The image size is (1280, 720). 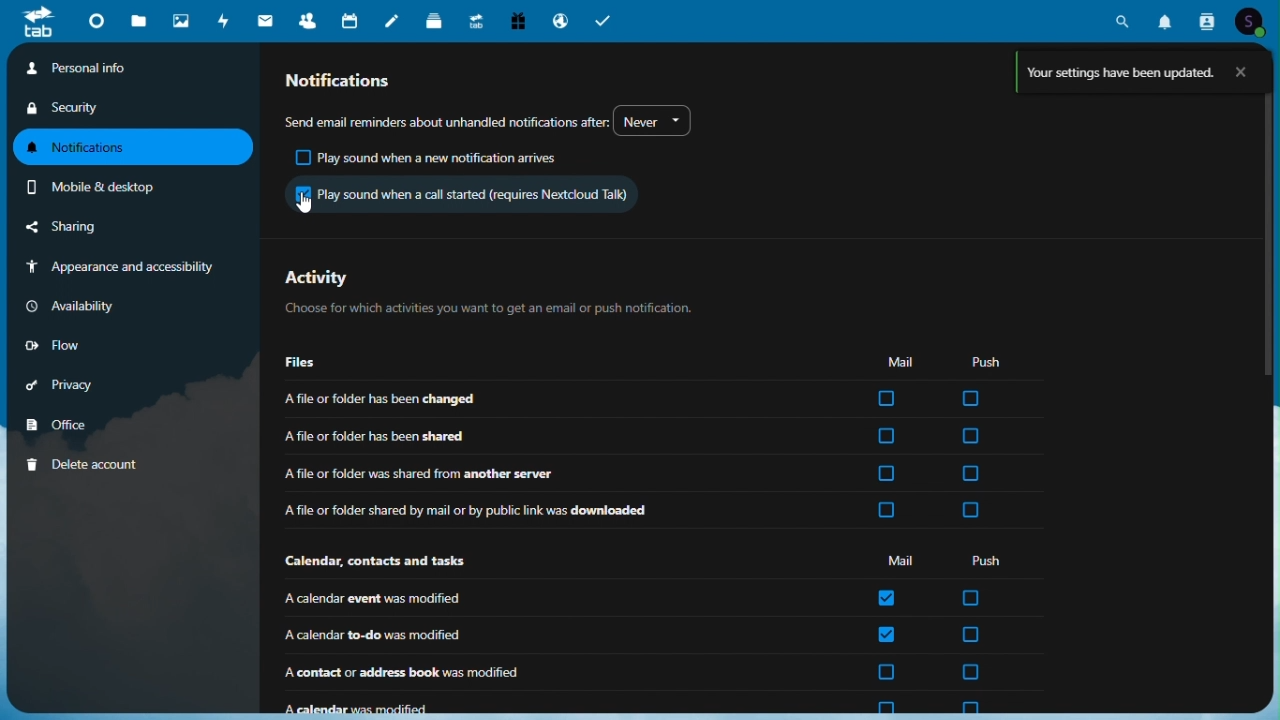 I want to click on Play sound for new notification, so click(x=430, y=158).